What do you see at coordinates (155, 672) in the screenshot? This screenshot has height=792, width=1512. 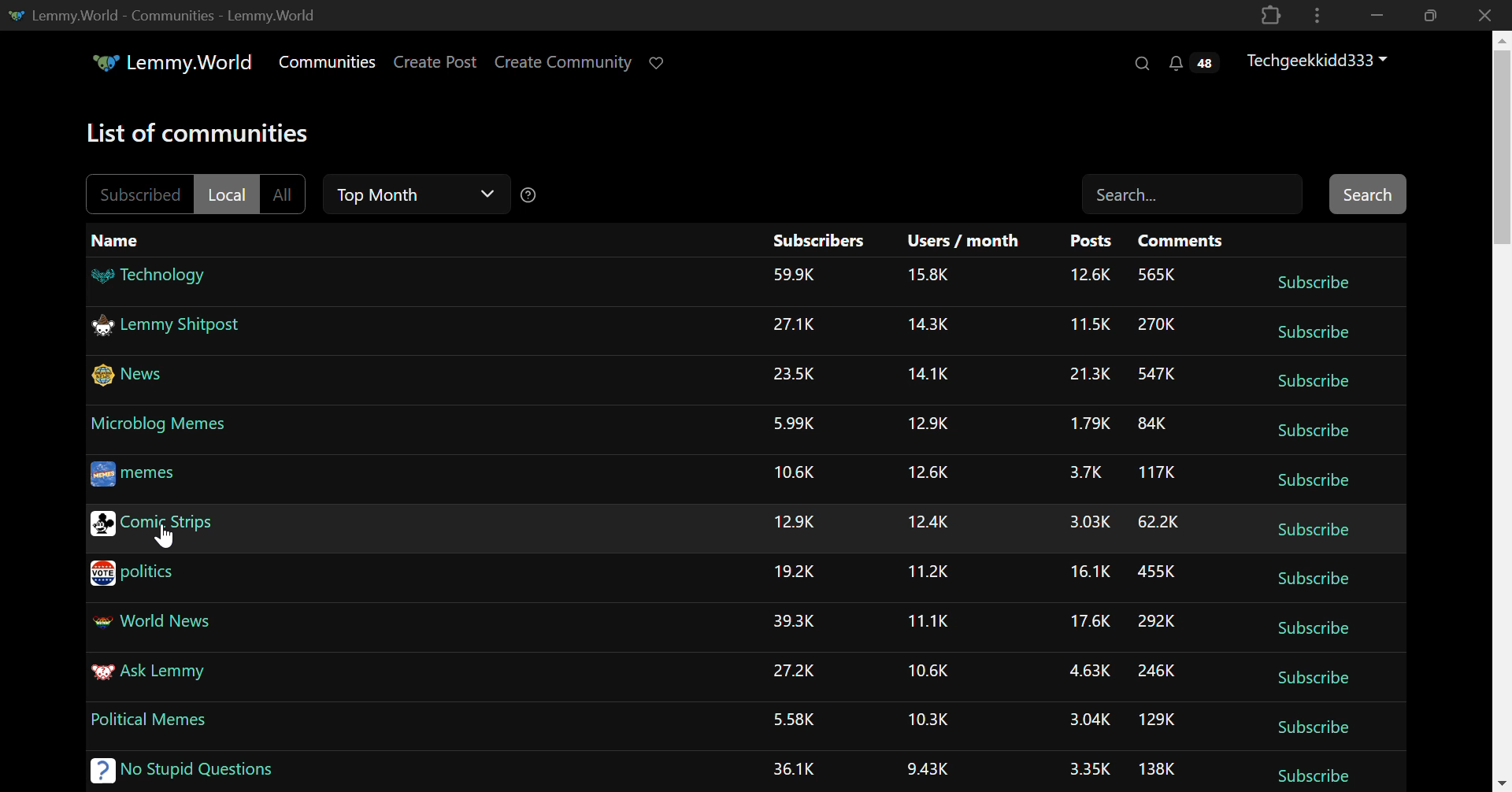 I see `Ask Lemmy` at bounding box center [155, 672].